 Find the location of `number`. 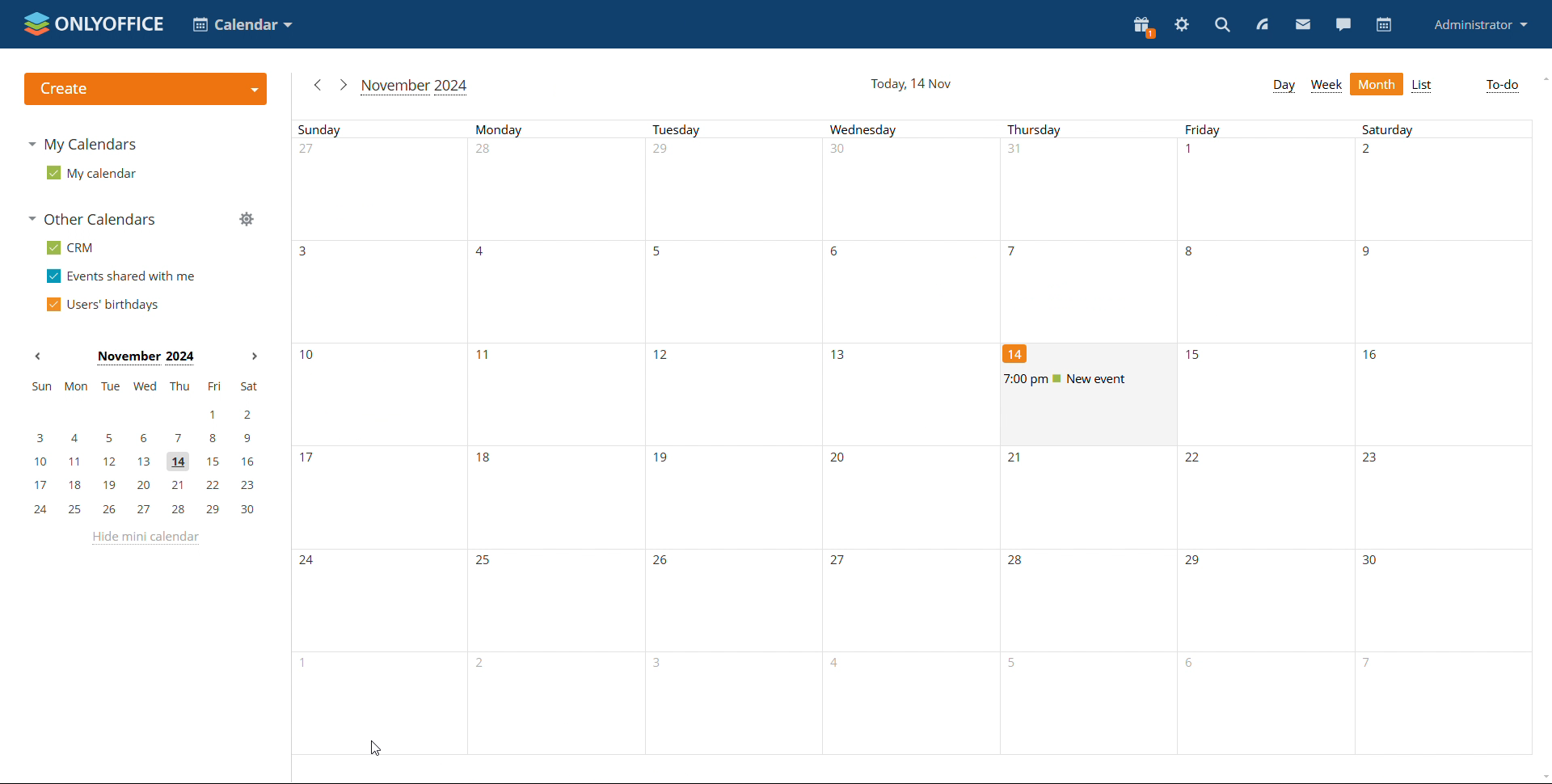

number is located at coordinates (1194, 152).